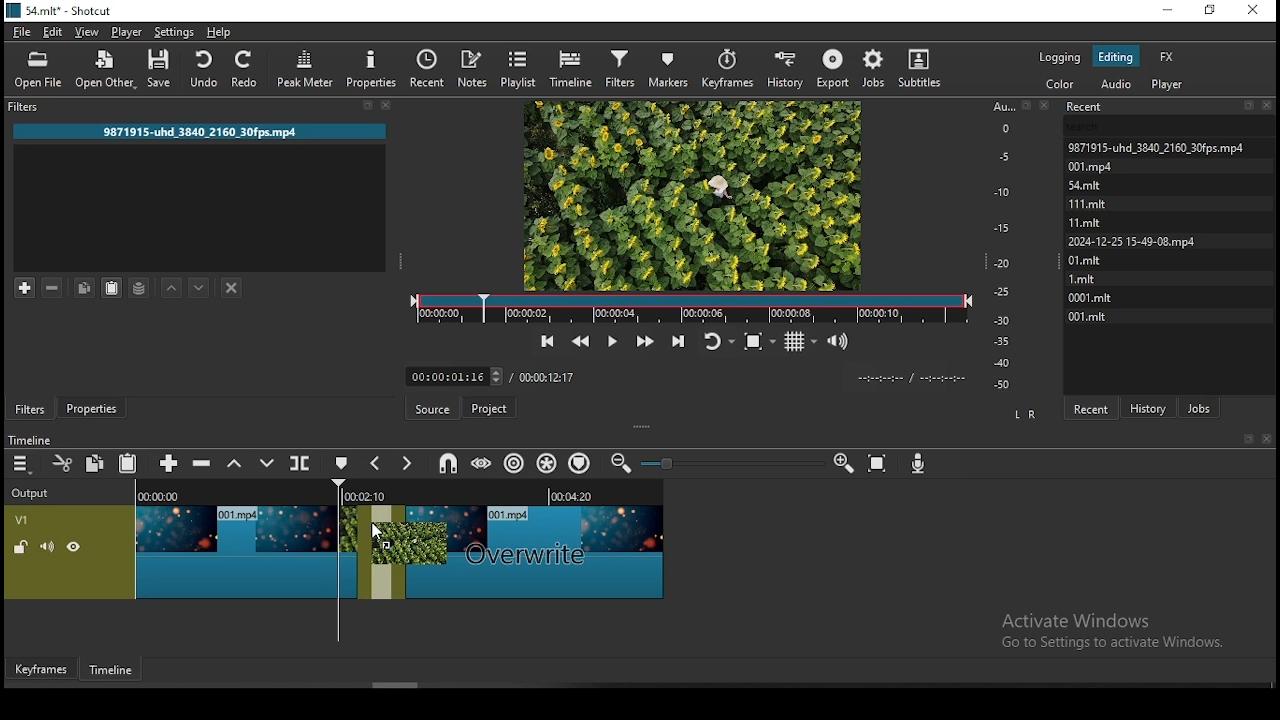 This screenshot has height=720, width=1280. I want to click on save, so click(162, 70).